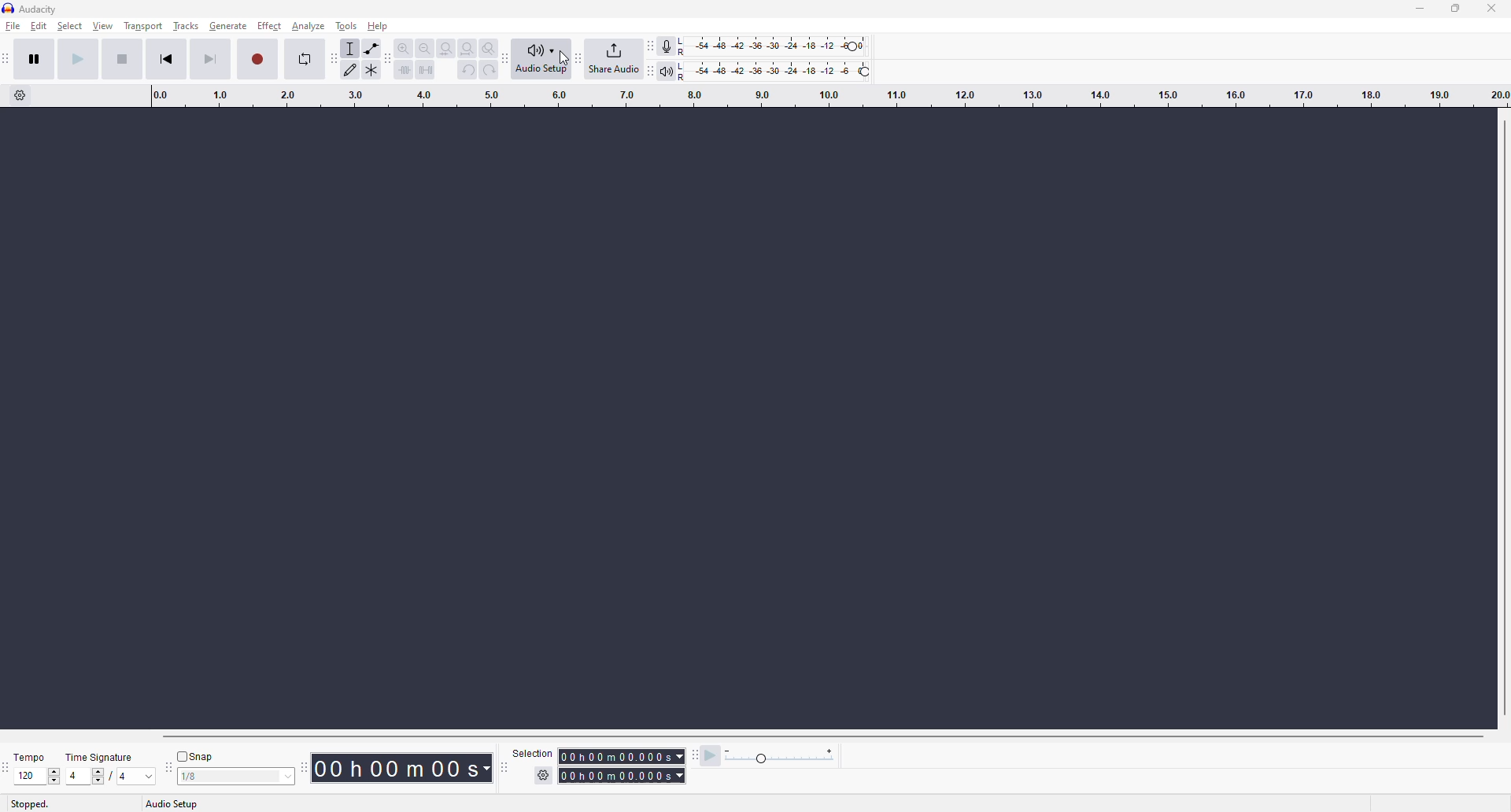 Image resolution: width=1511 pixels, height=812 pixels. I want to click on time toolbar, so click(305, 770).